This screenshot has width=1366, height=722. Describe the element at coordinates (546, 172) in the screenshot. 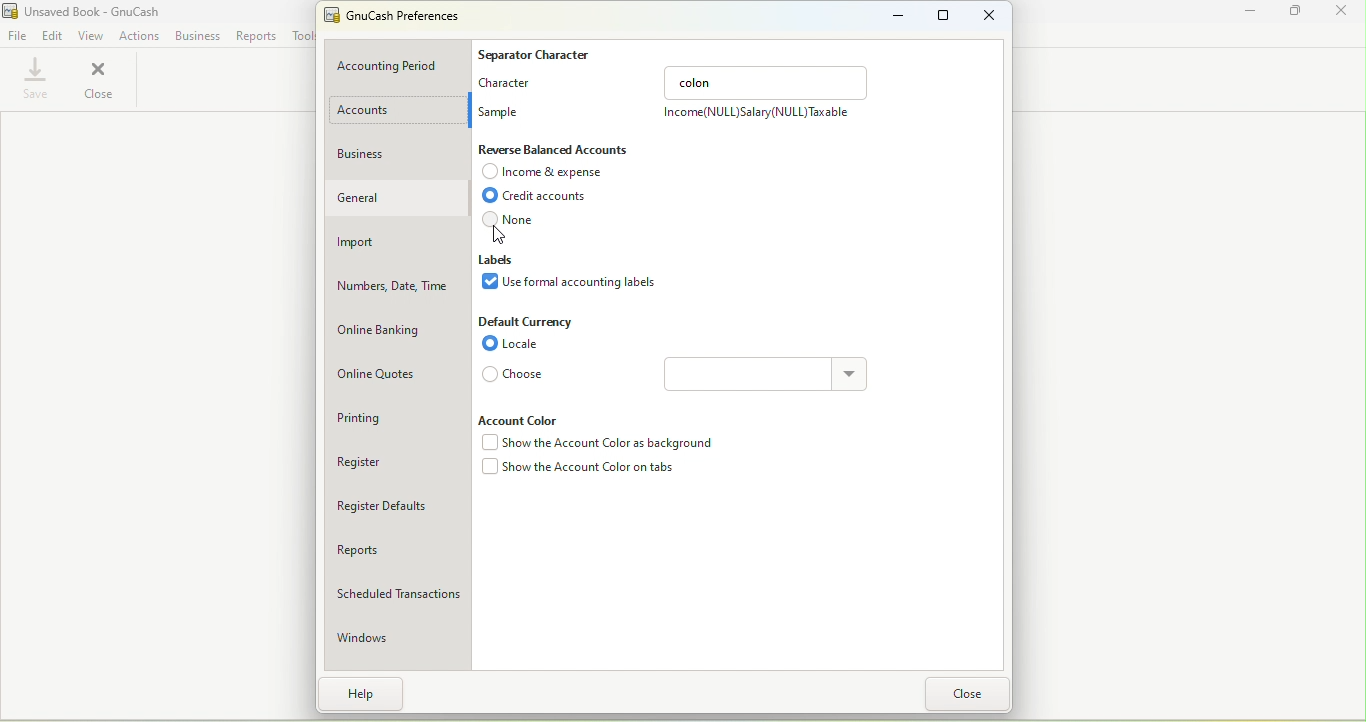

I see `Income and expense` at that location.